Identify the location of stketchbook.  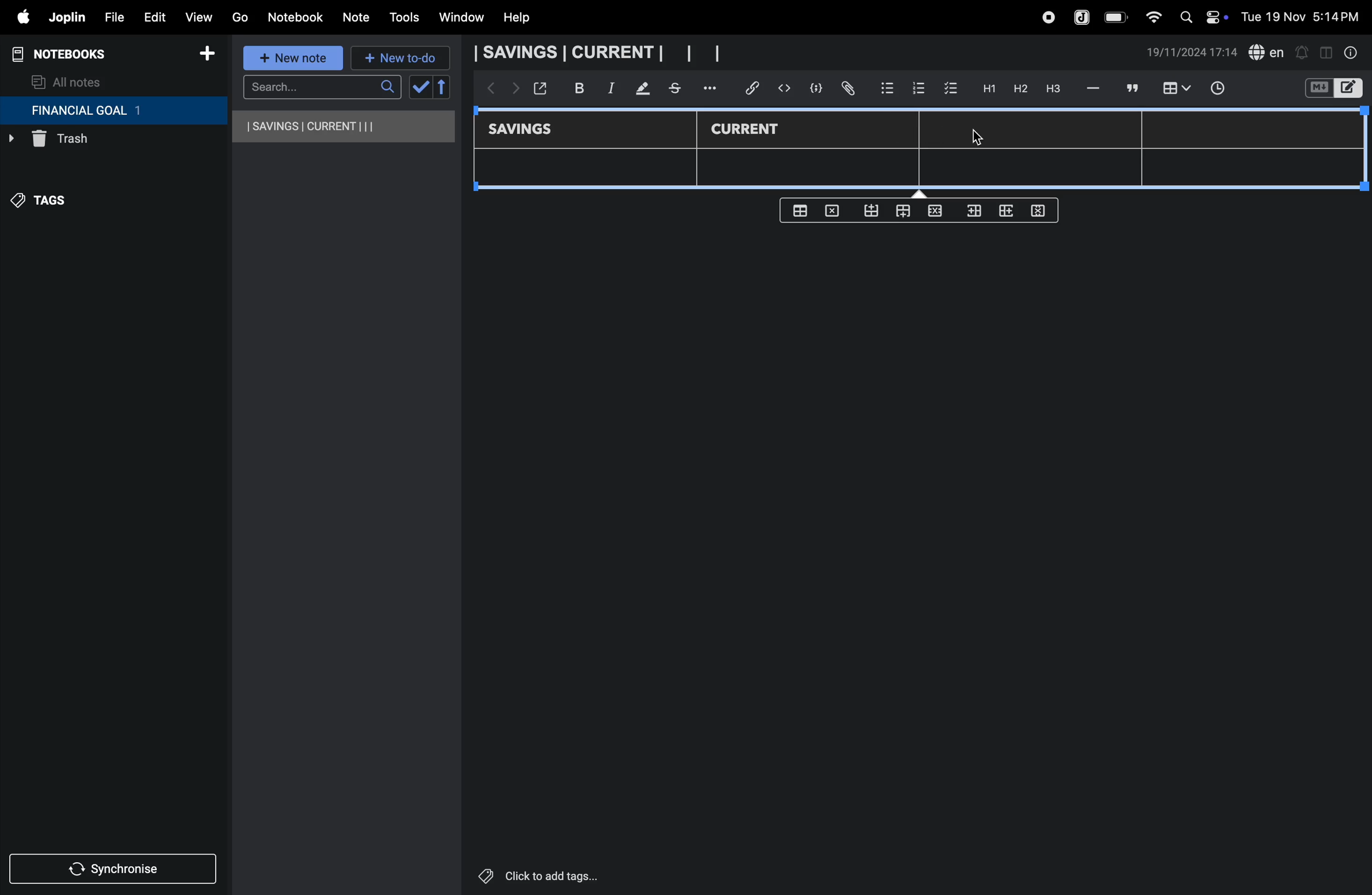
(676, 90).